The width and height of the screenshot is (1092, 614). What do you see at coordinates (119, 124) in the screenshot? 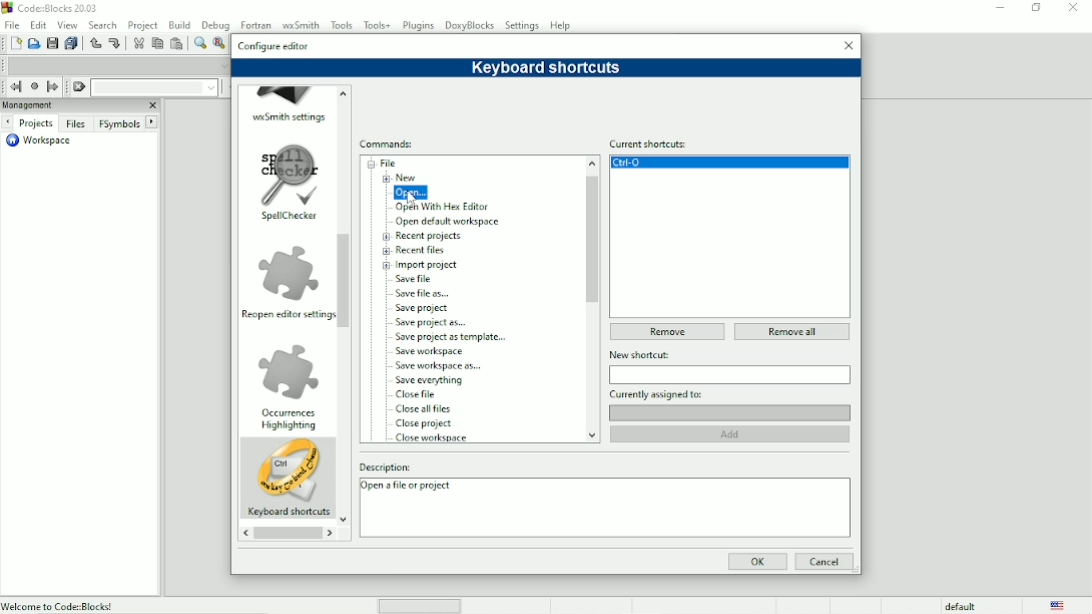
I see `FSymbols` at bounding box center [119, 124].